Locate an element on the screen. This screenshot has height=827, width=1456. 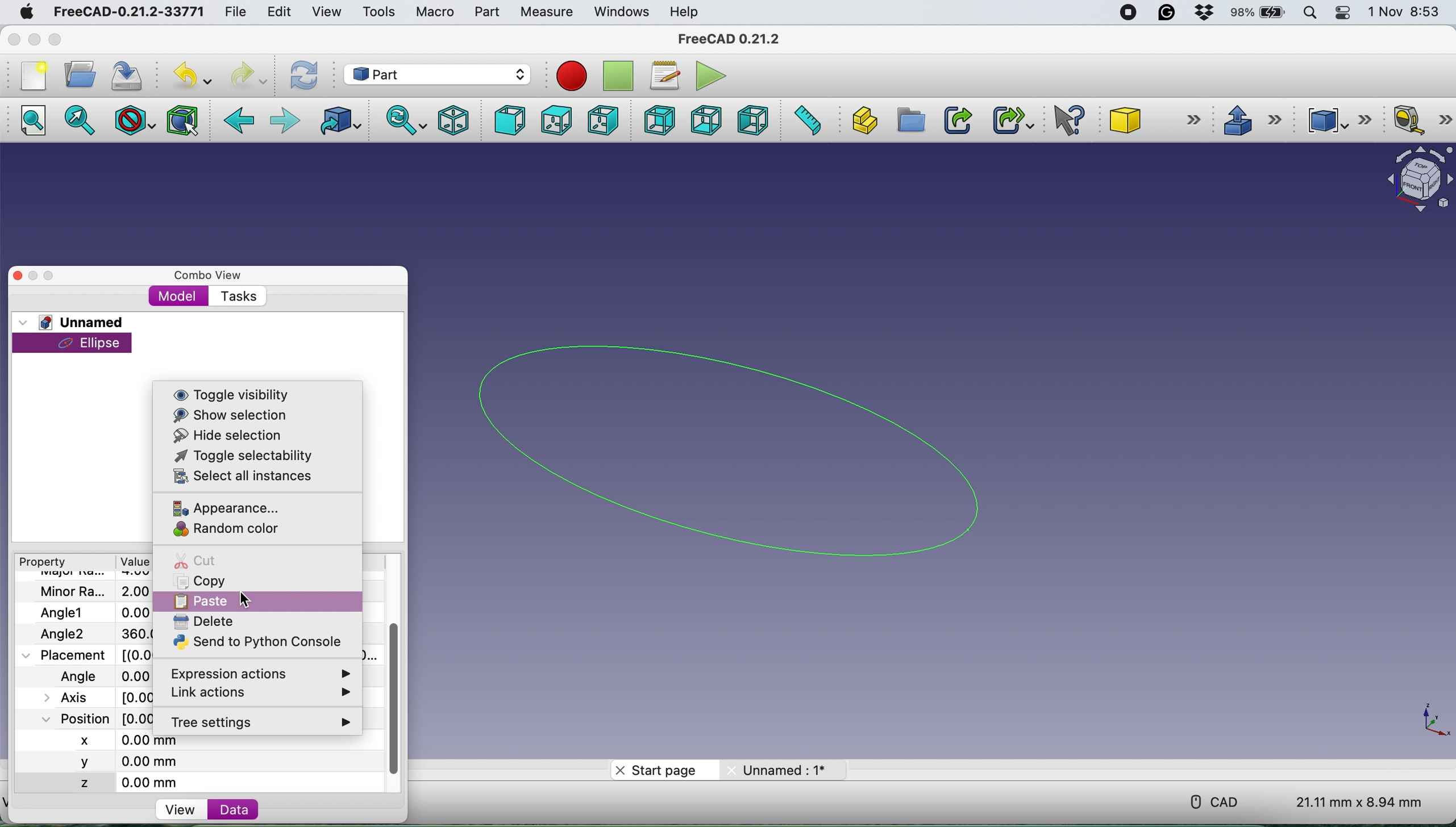
cube is located at coordinates (1157, 118).